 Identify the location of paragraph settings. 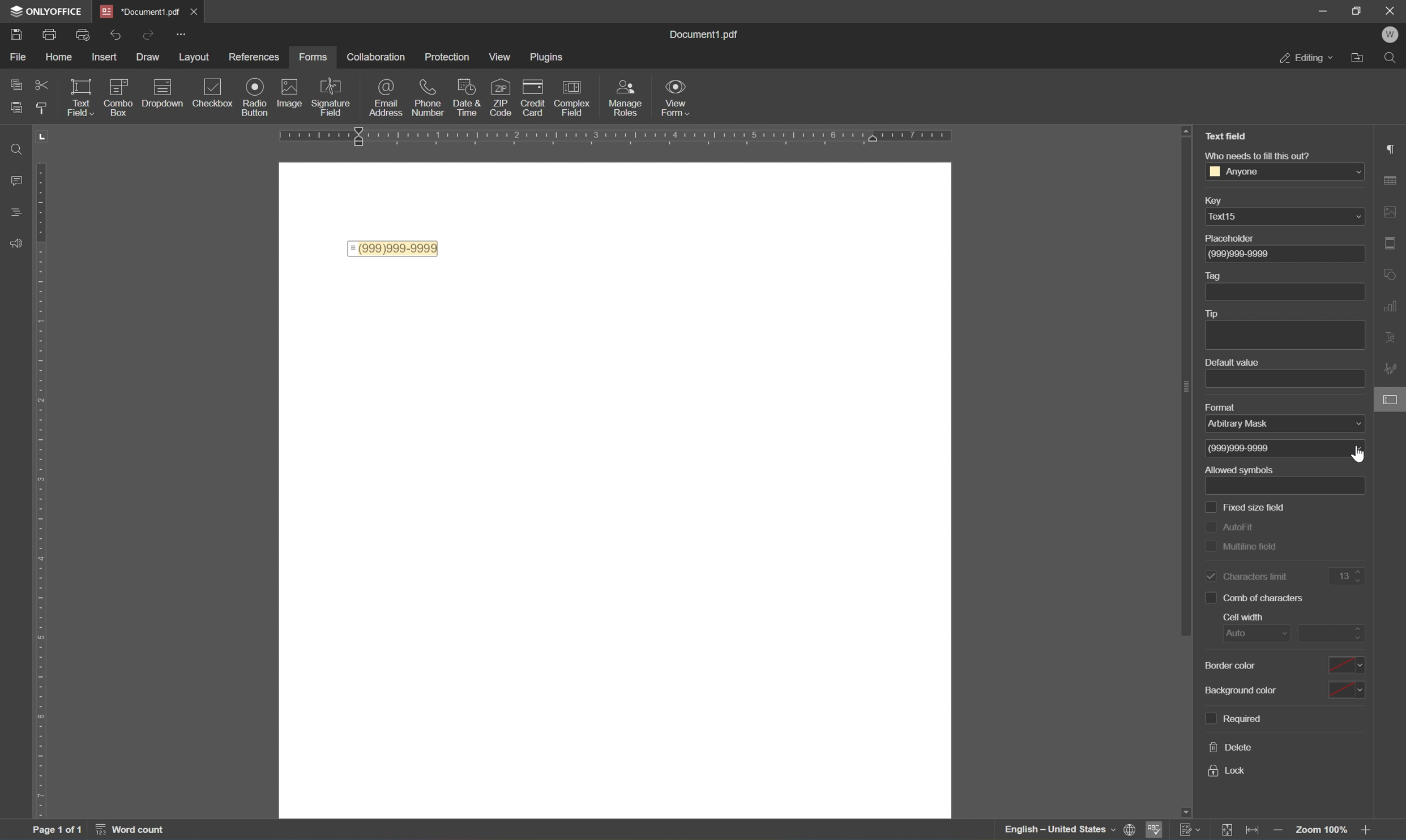
(1390, 147).